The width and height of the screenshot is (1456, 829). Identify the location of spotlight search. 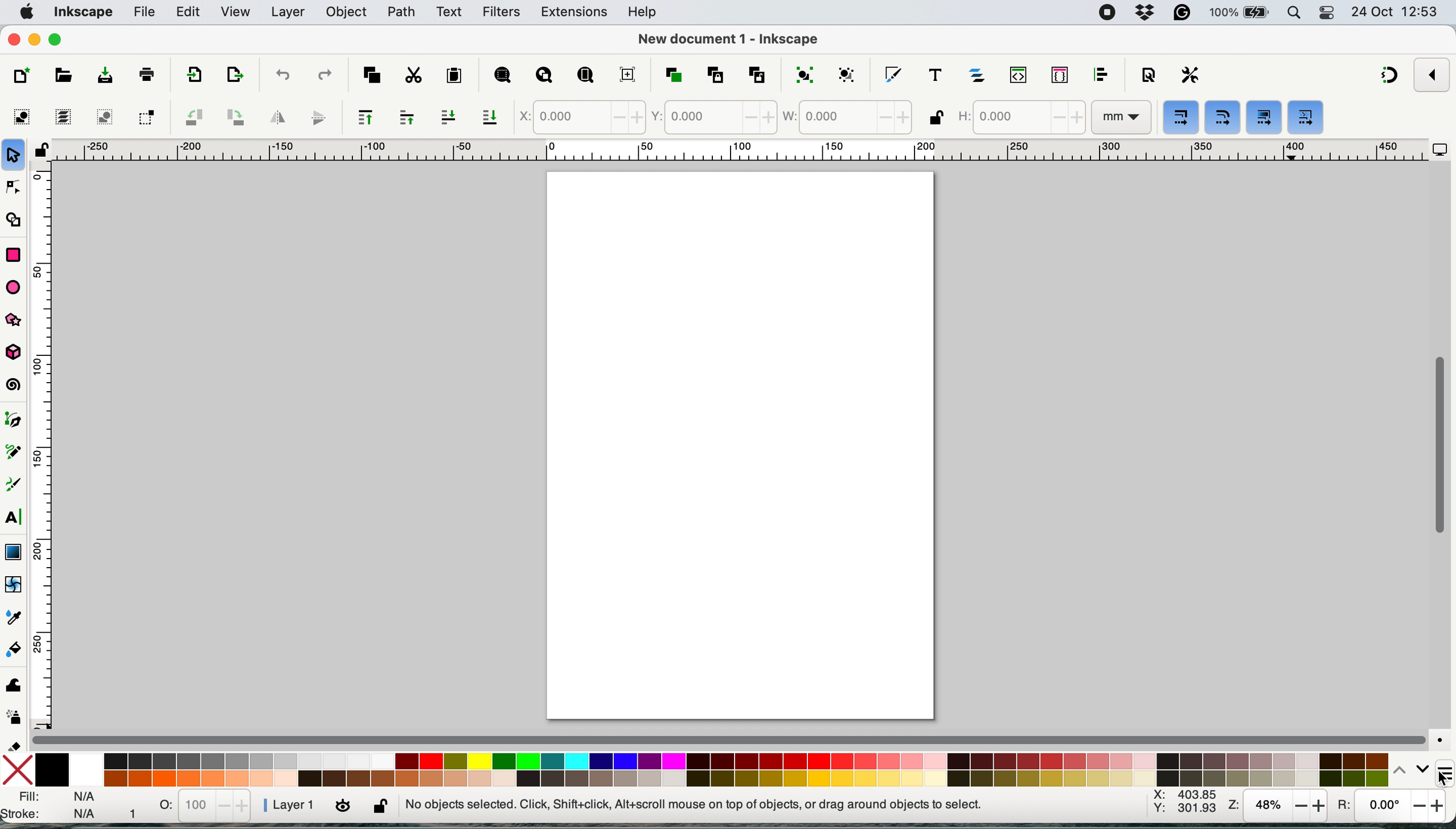
(1293, 13).